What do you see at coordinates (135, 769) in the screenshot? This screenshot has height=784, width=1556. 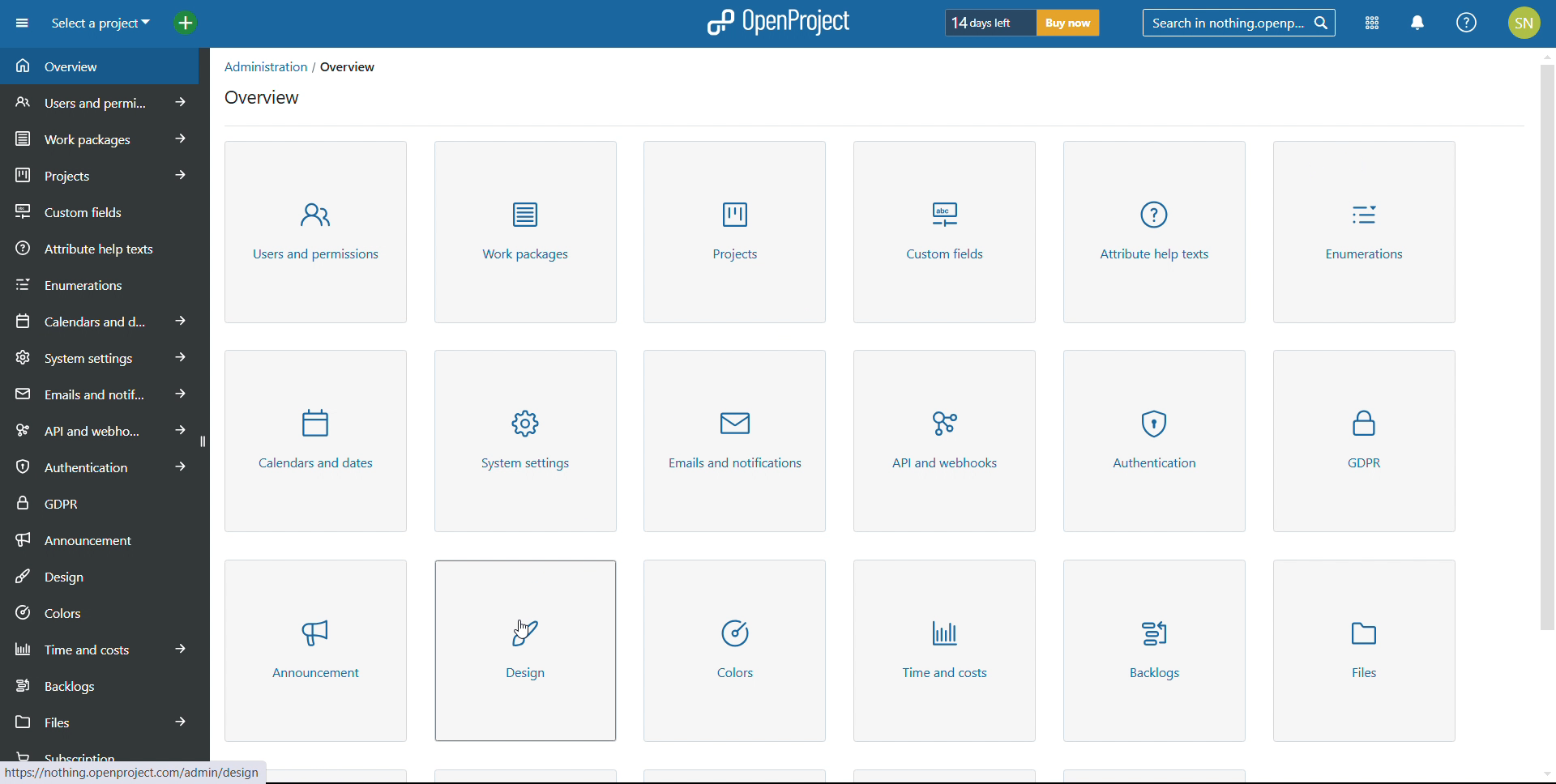 I see `https://nothing.openproject.com/admin/design` at bounding box center [135, 769].